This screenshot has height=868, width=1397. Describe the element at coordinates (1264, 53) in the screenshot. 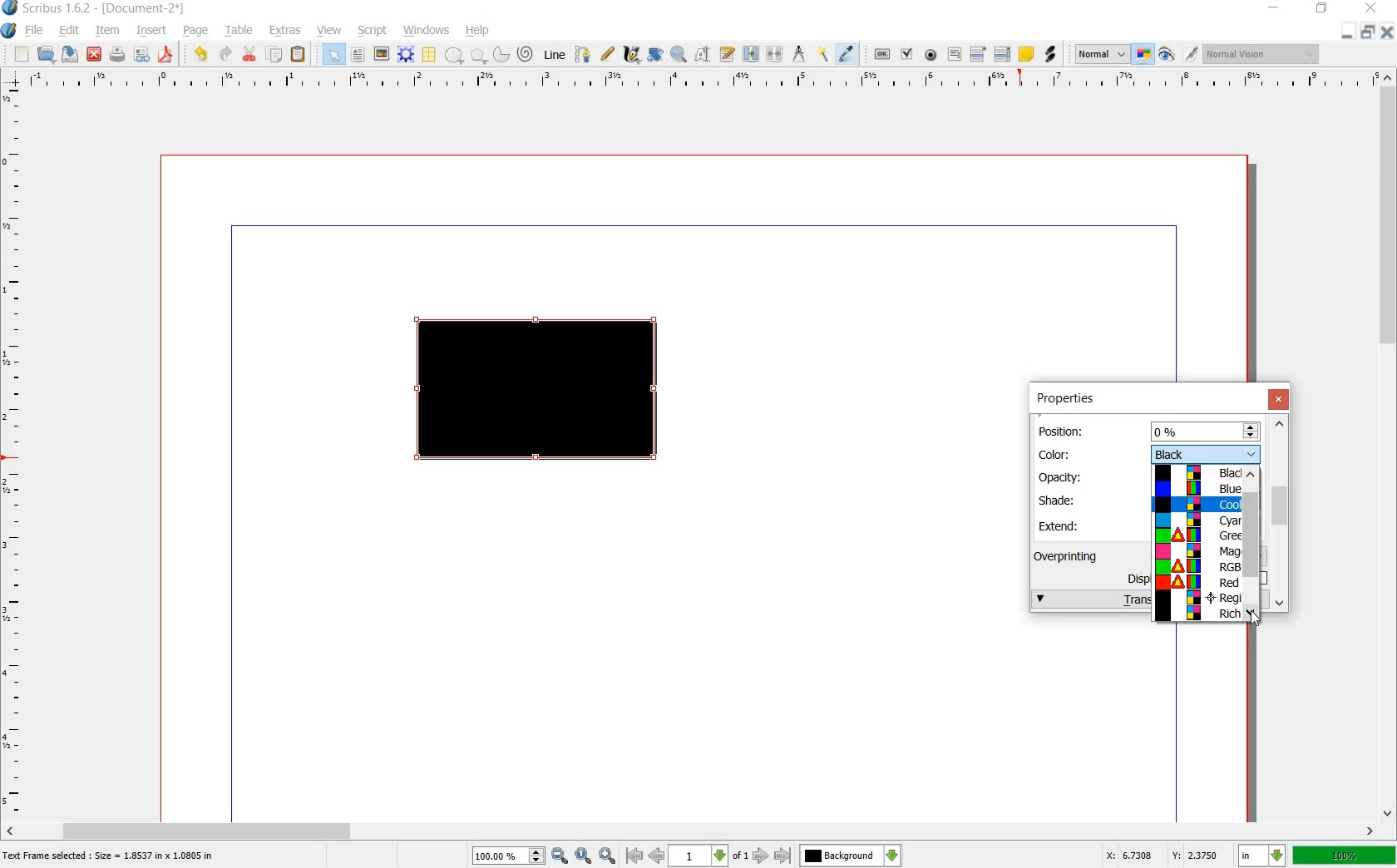

I see `visual appearance of the display` at that location.